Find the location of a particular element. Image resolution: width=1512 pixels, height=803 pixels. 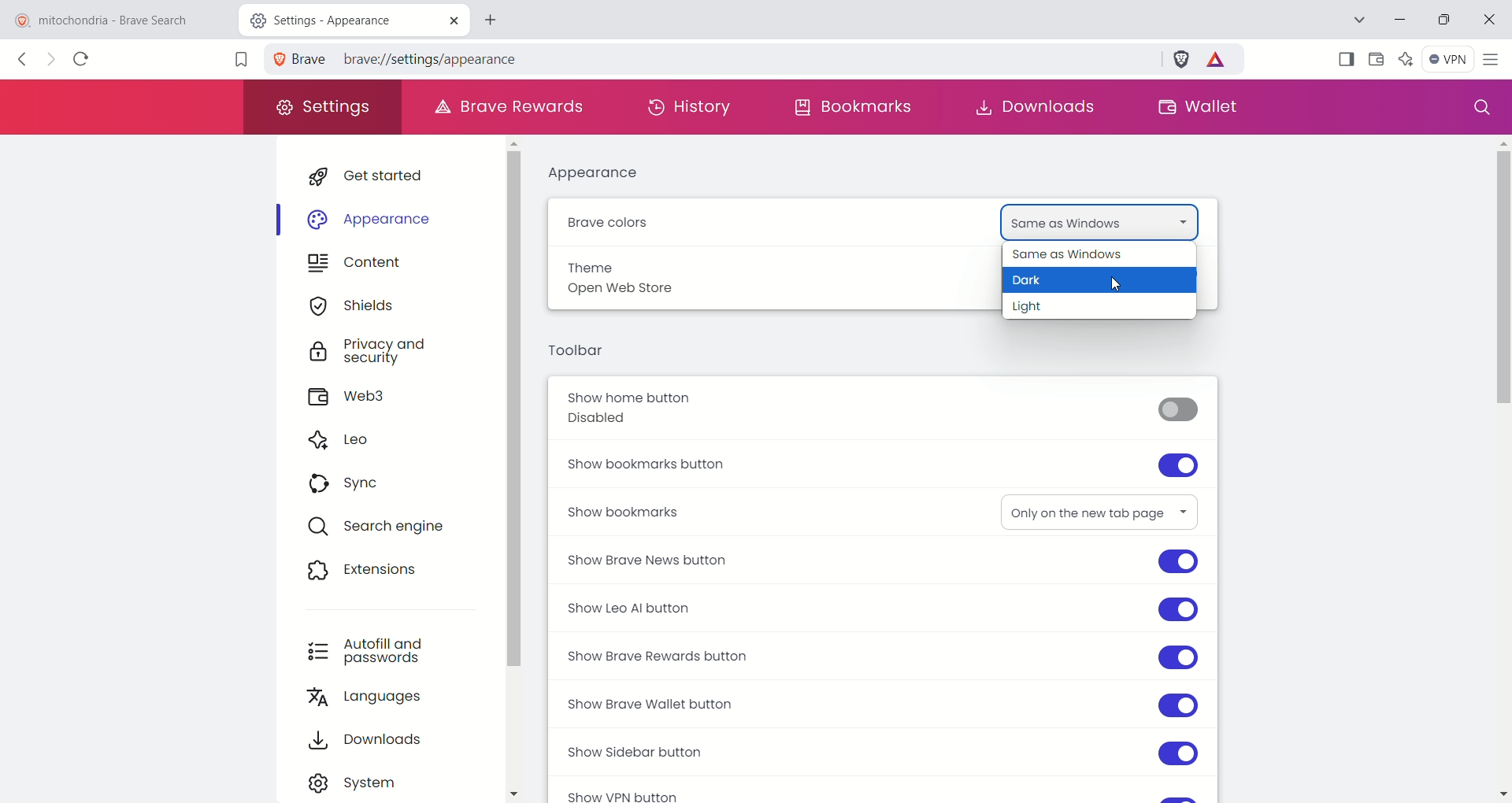

Same as Windows is located at coordinates (1083, 219).